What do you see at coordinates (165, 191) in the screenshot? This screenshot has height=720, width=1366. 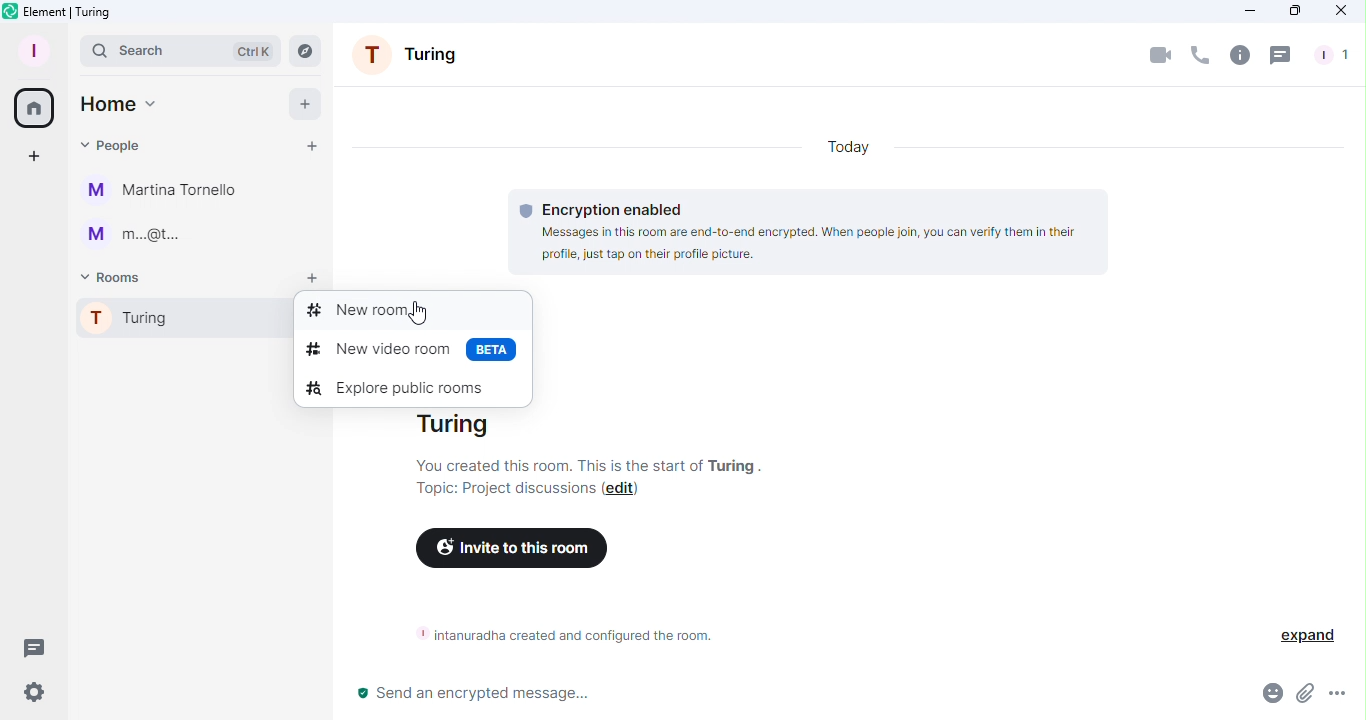 I see `Martina Tornello` at bounding box center [165, 191].